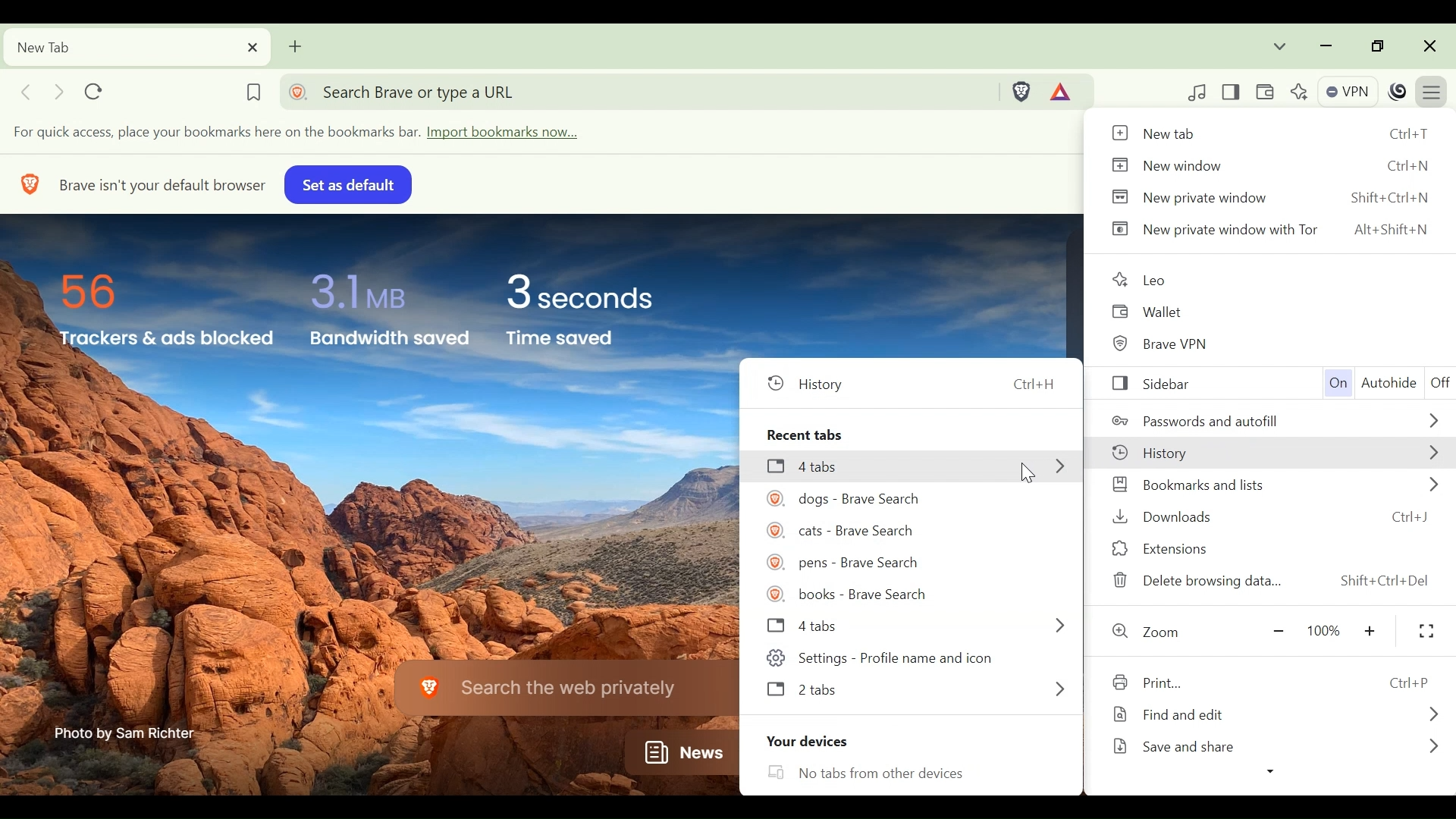  What do you see at coordinates (1389, 384) in the screenshot?
I see `Autohide` at bounding box center [1389, 384].